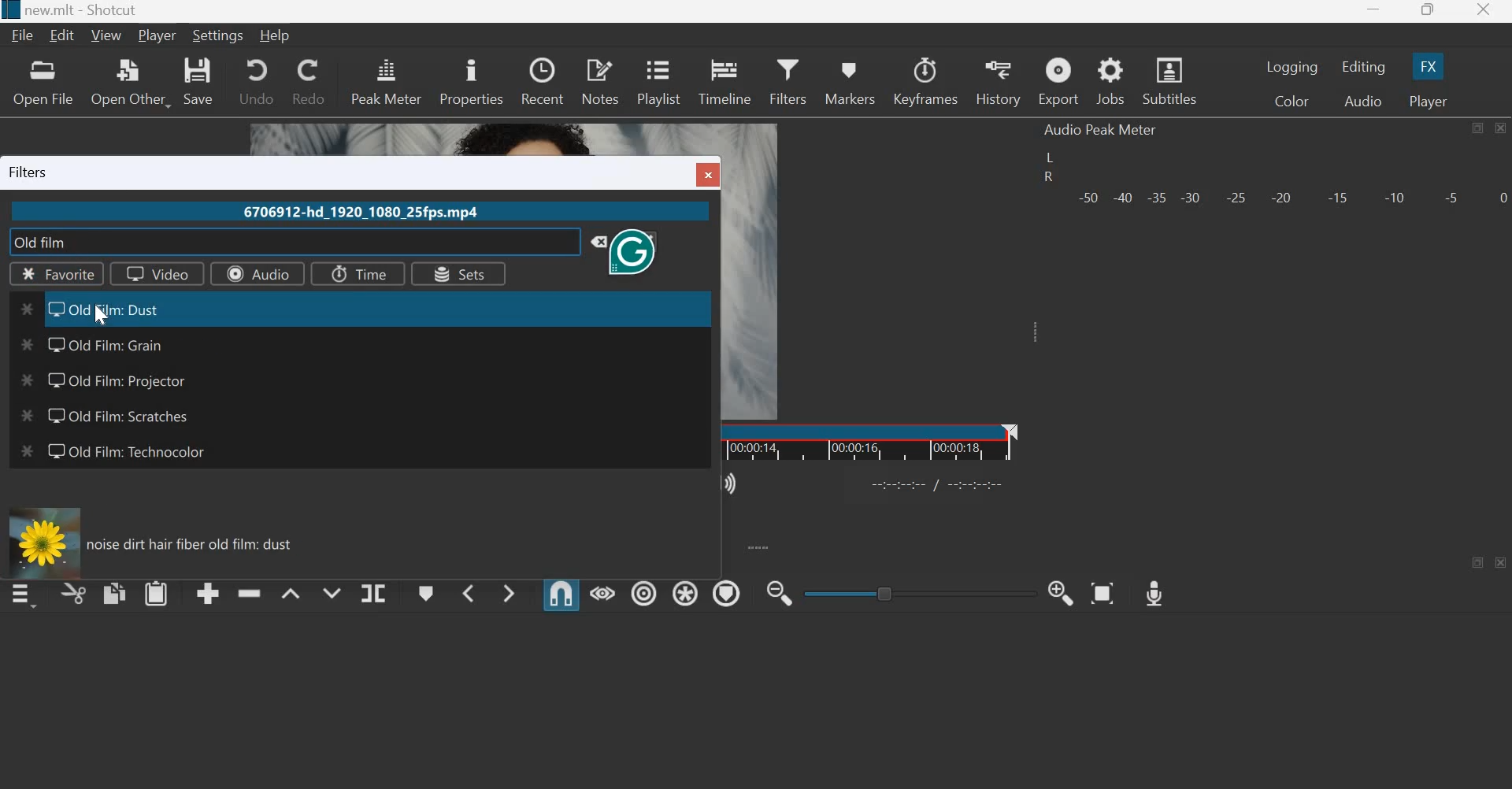 This screenshot has height=789, width=1512. Describe the element at coordinates (1477, 128) in the screenshot. I see `maximize` at that location.